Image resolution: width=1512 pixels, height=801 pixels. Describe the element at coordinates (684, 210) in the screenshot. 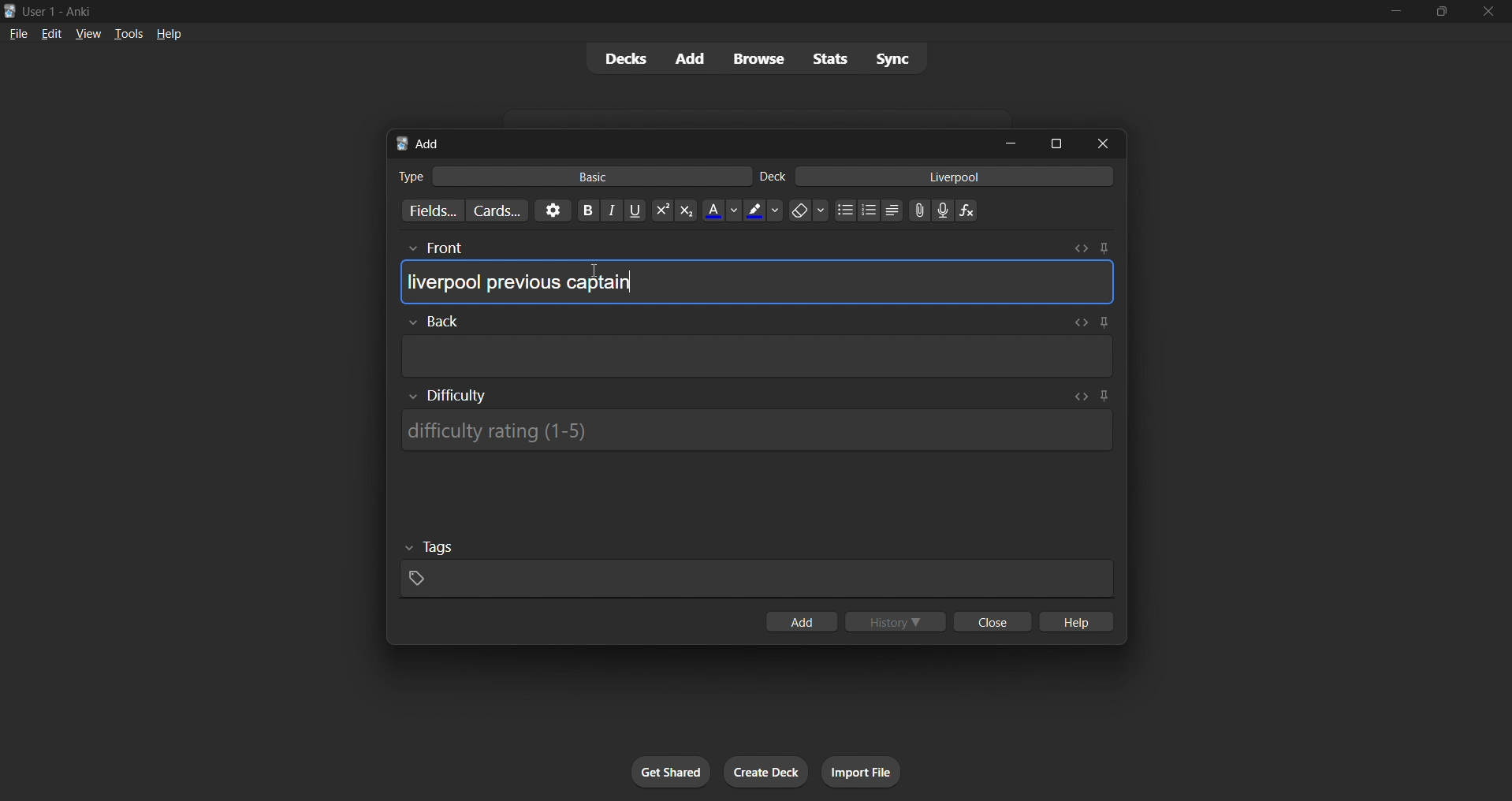

I see `subscript` at that location.